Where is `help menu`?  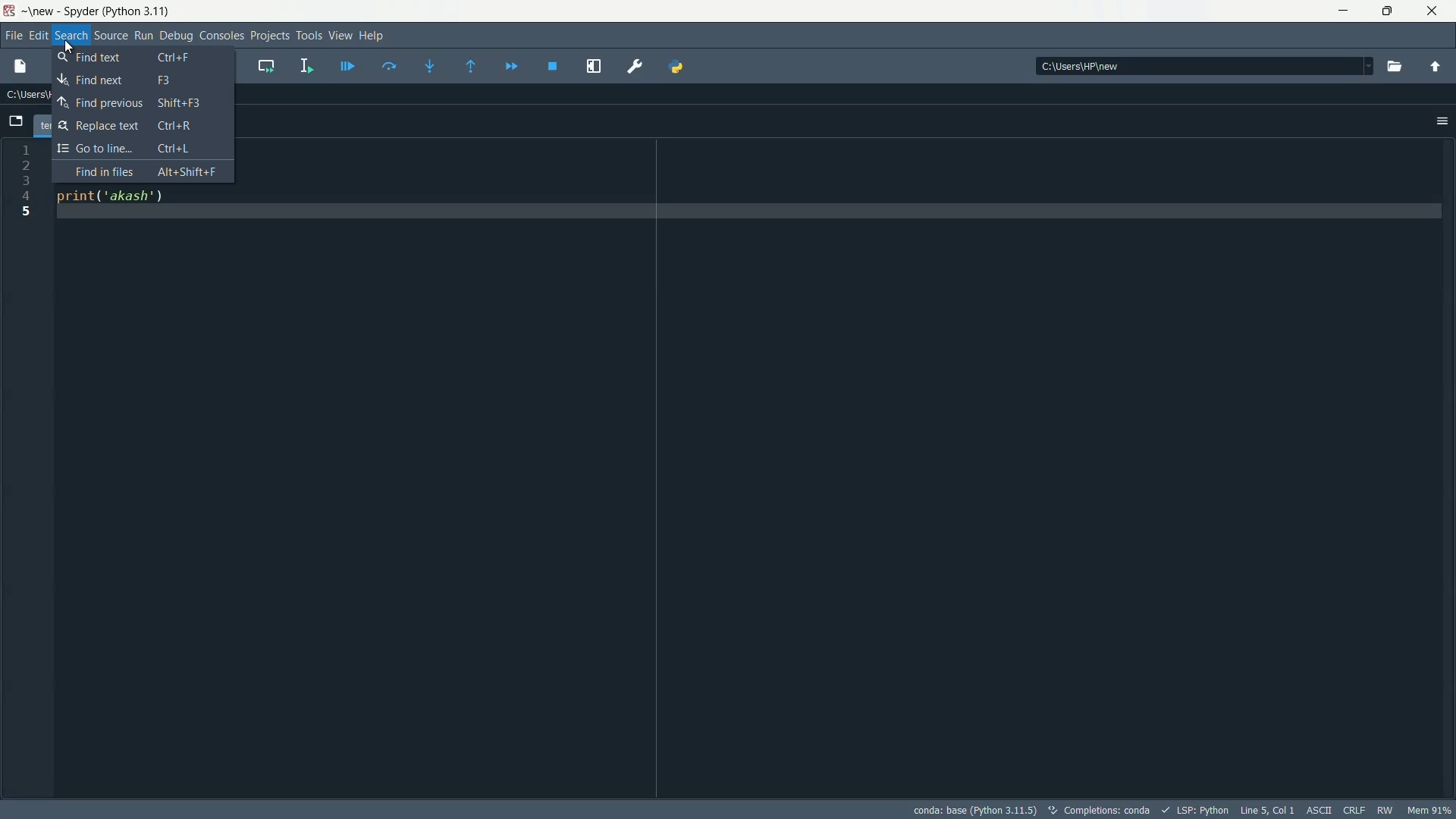
help menu is located at coordinates (376, 35).